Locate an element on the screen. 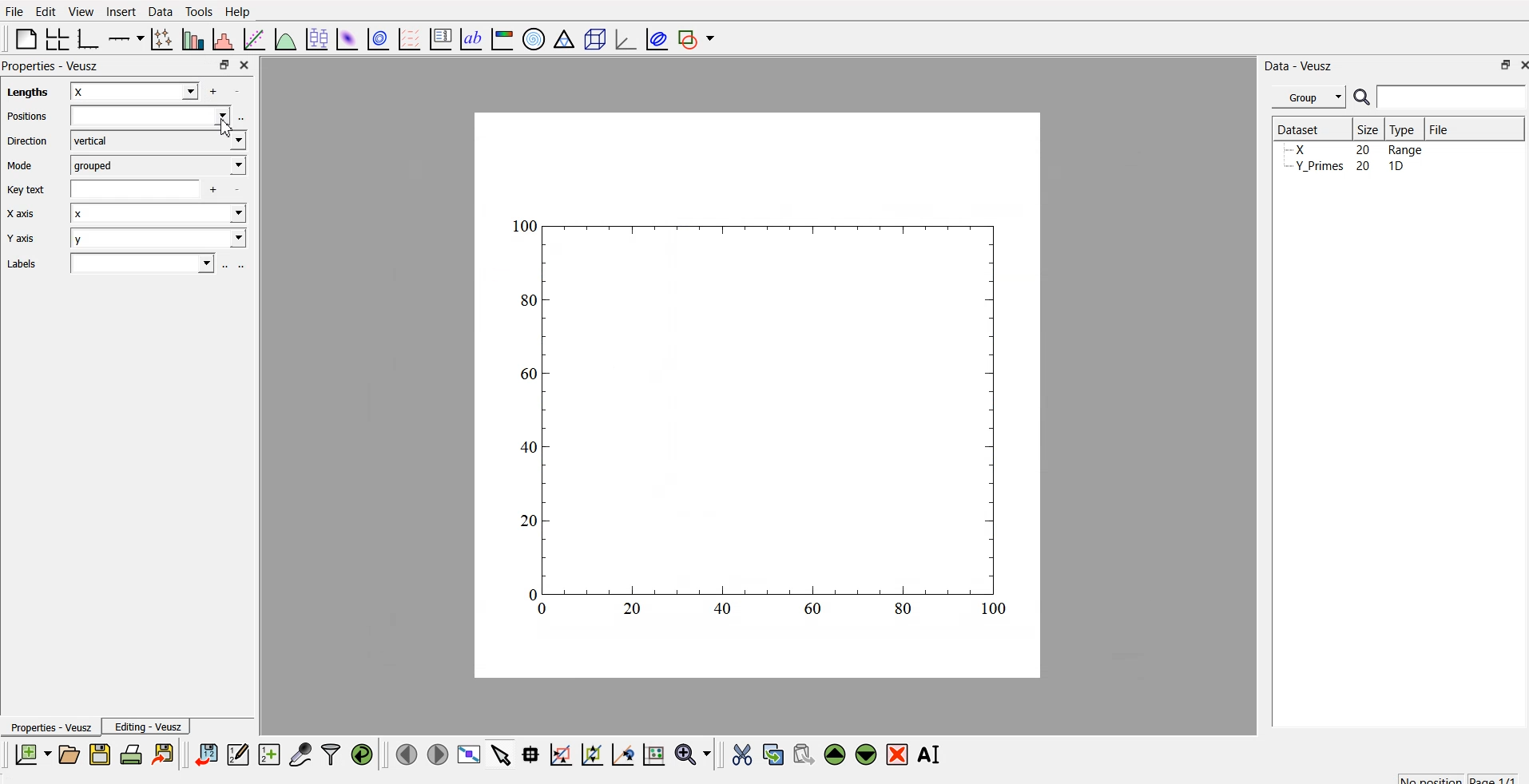  draw rectangle to zoom is located at coordinates (560, 754).